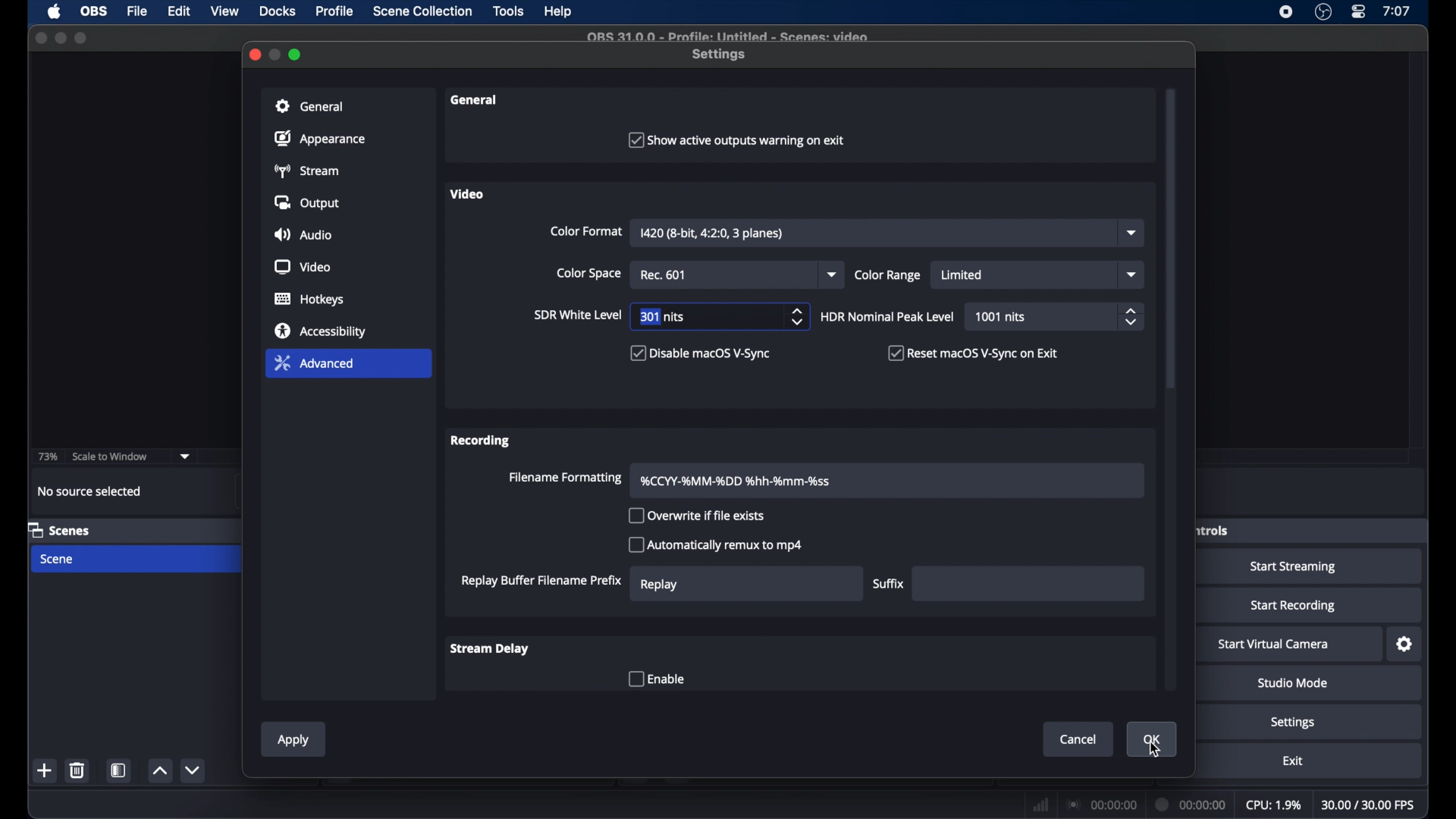 The width and height of the screenshot is (1456, 819). What do you see at coordinates (1133, 232) in the screenshot?
I see `dropdown` at bounding box center [1133, 232].